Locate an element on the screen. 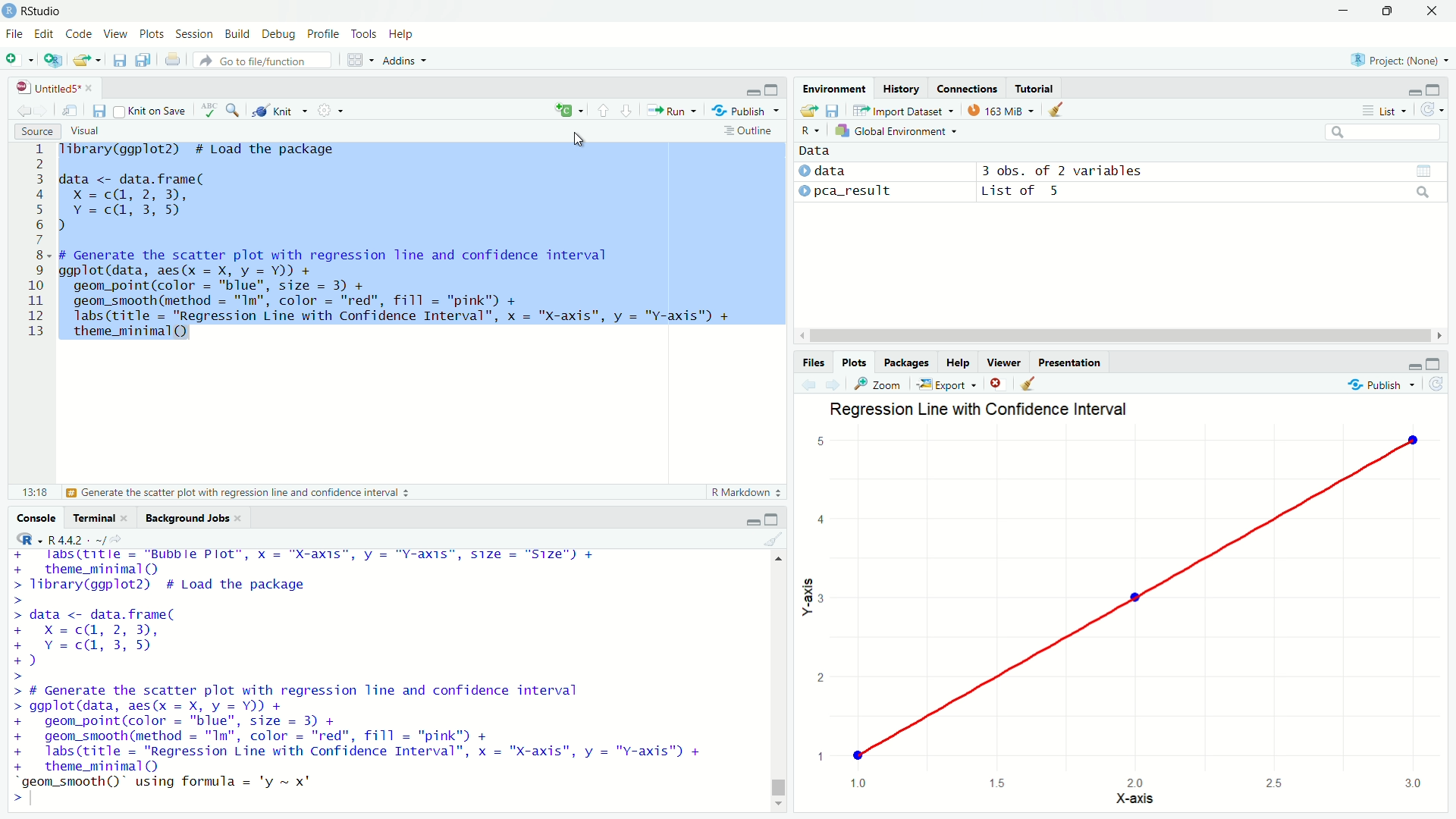  Show in new window is located at coordinates (70, 110).